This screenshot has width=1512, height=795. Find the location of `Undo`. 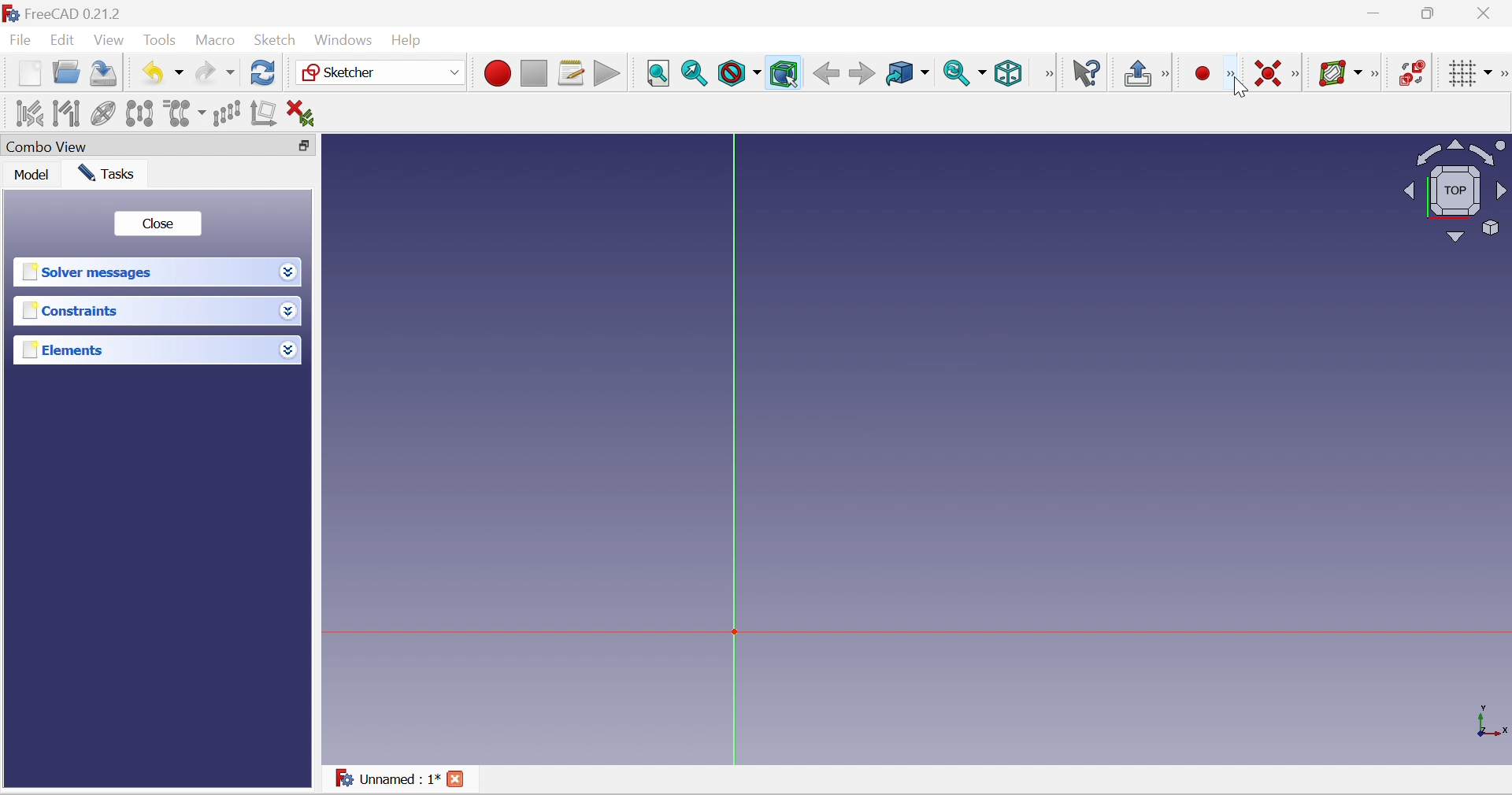

Undo is located at coordinates (161, 74).